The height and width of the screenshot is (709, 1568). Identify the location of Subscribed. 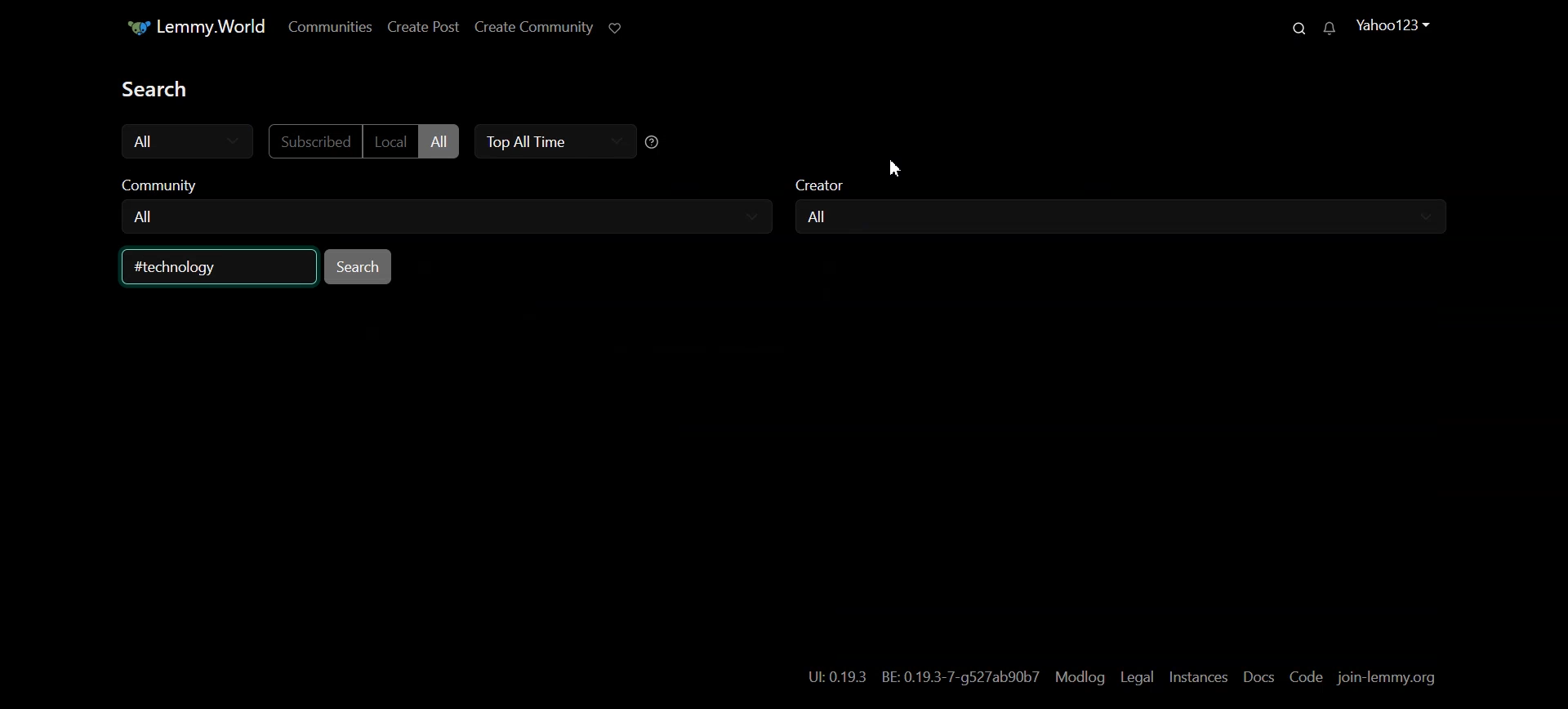
(313, 141).